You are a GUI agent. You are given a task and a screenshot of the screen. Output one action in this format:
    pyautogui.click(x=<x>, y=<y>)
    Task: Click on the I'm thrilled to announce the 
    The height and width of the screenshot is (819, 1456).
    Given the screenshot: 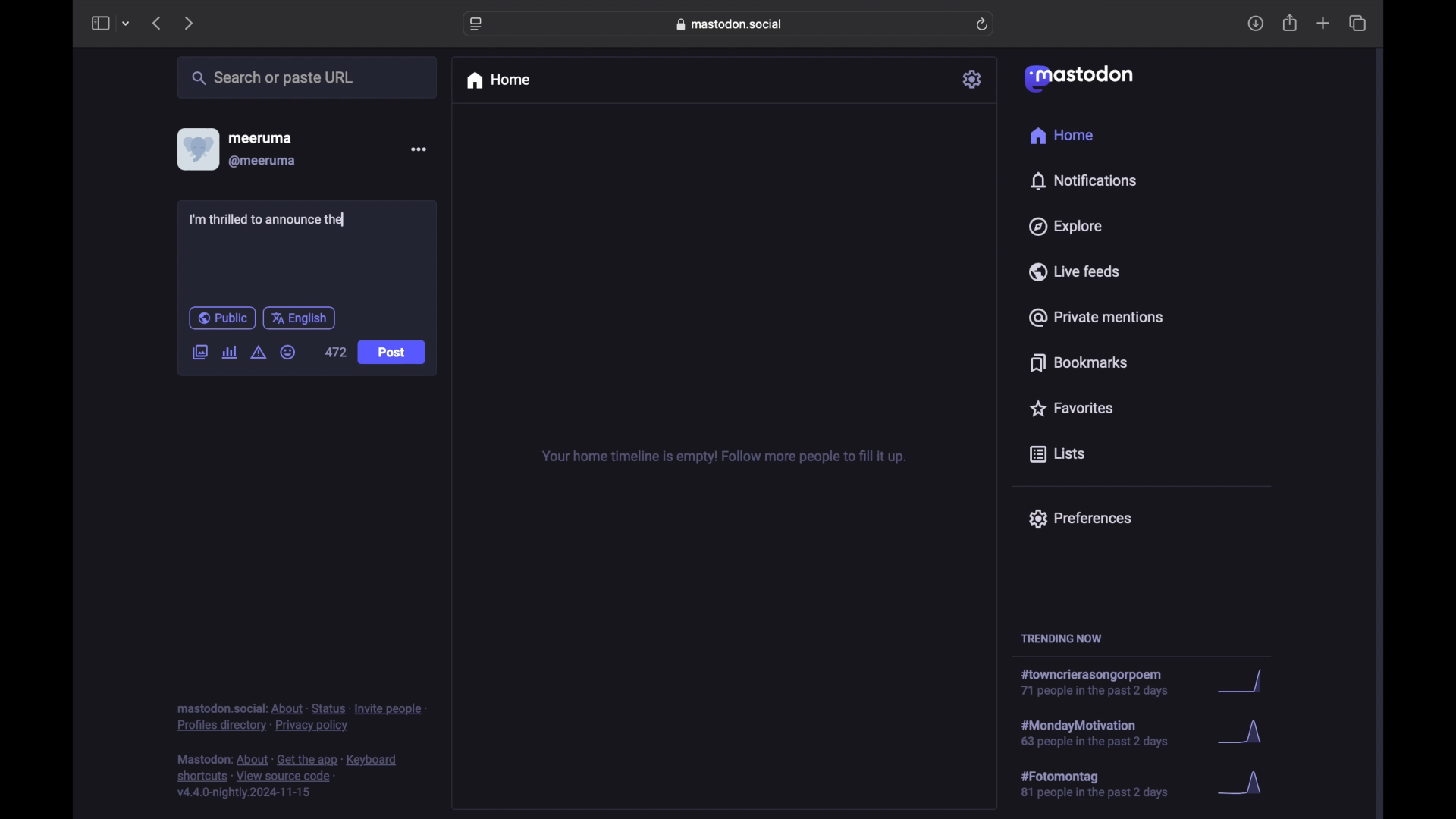 What is the action you would take?
    pyautogui.click(x=271, y=221)
    